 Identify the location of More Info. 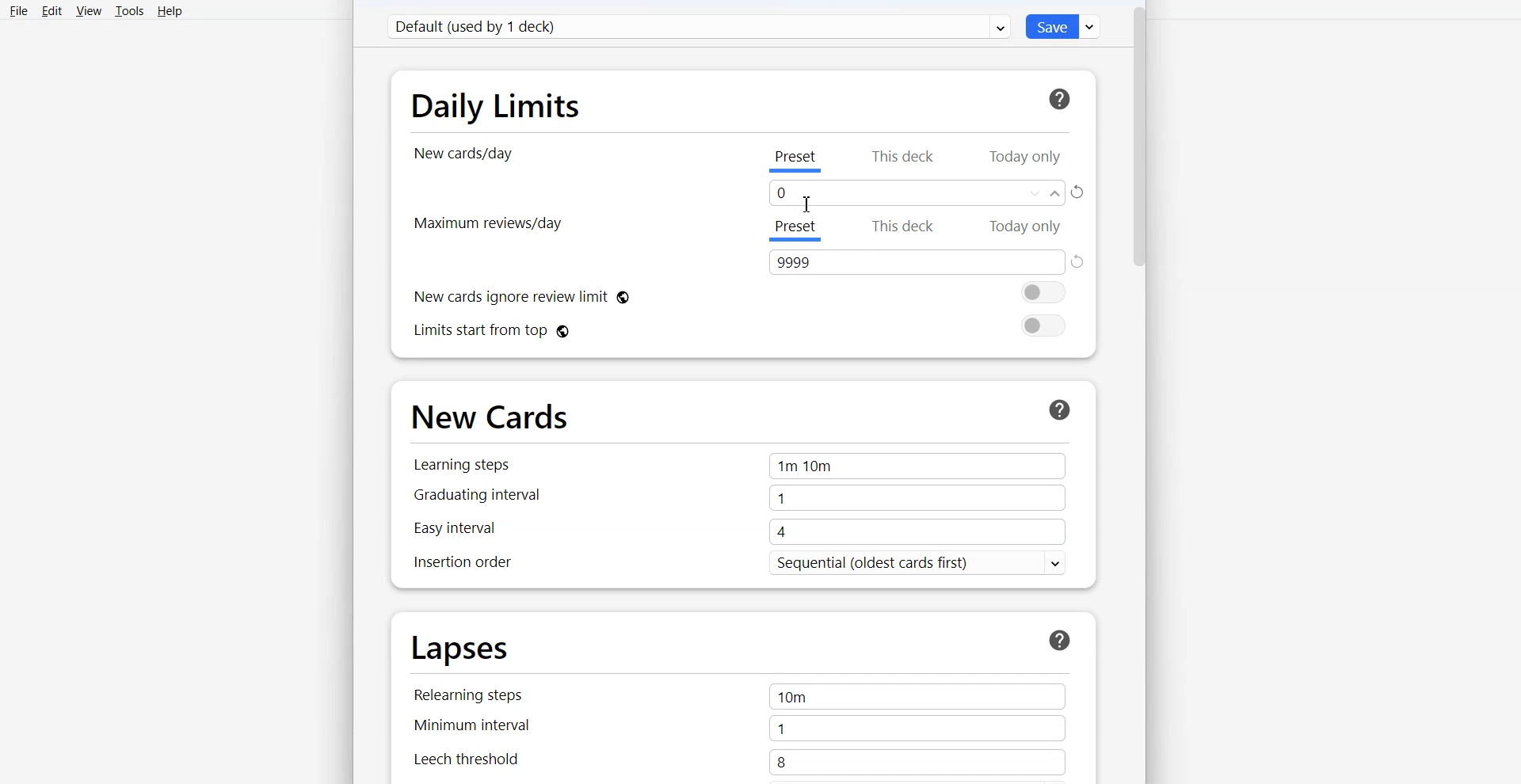
(1061, 637).